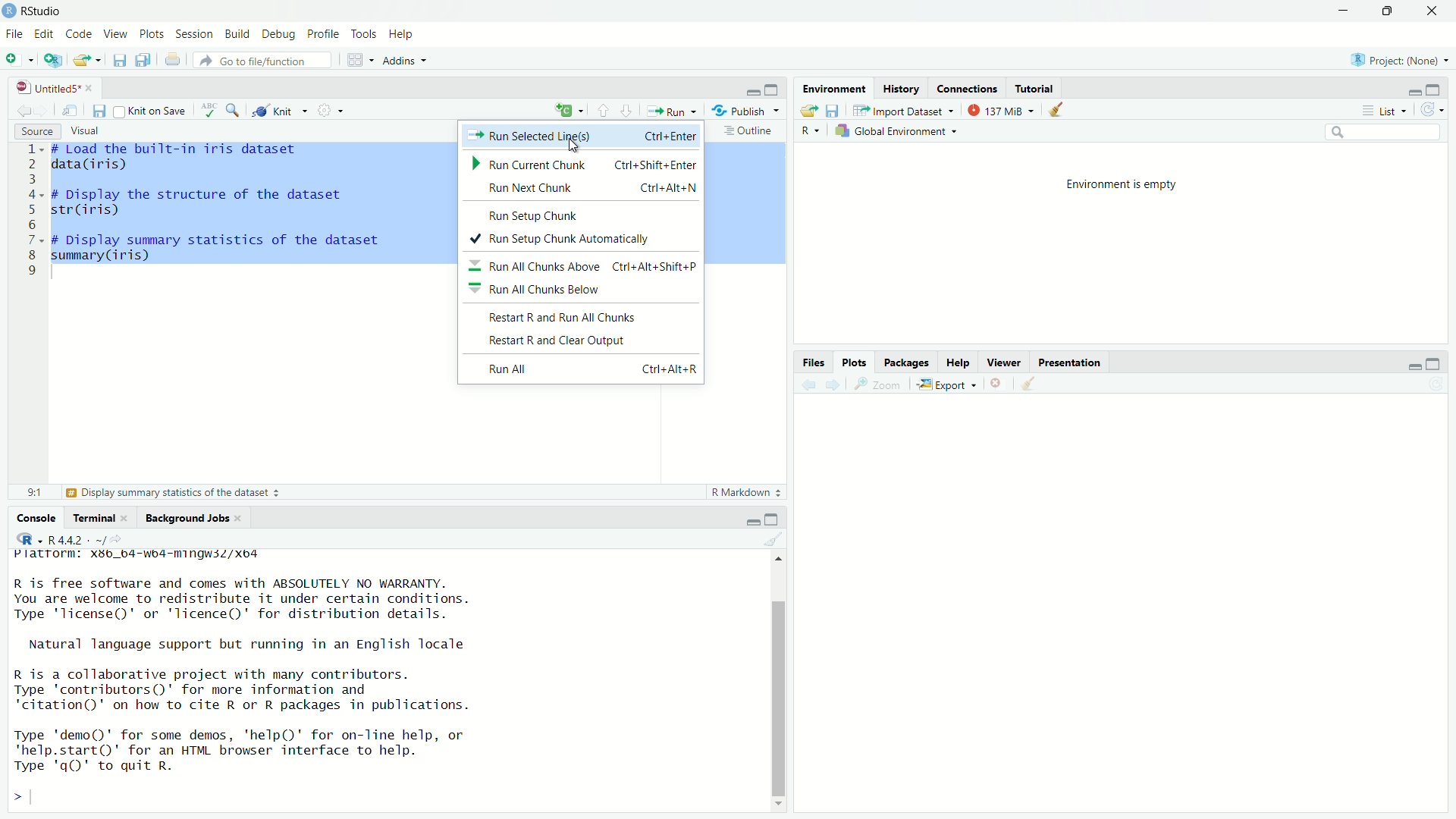 Image resolution: width=1456 pixels, height=819 pixels. What do you see at coordinates (604, 110) in the screenshot?
I see `Go to previous section` at bounding box center [604, 110].